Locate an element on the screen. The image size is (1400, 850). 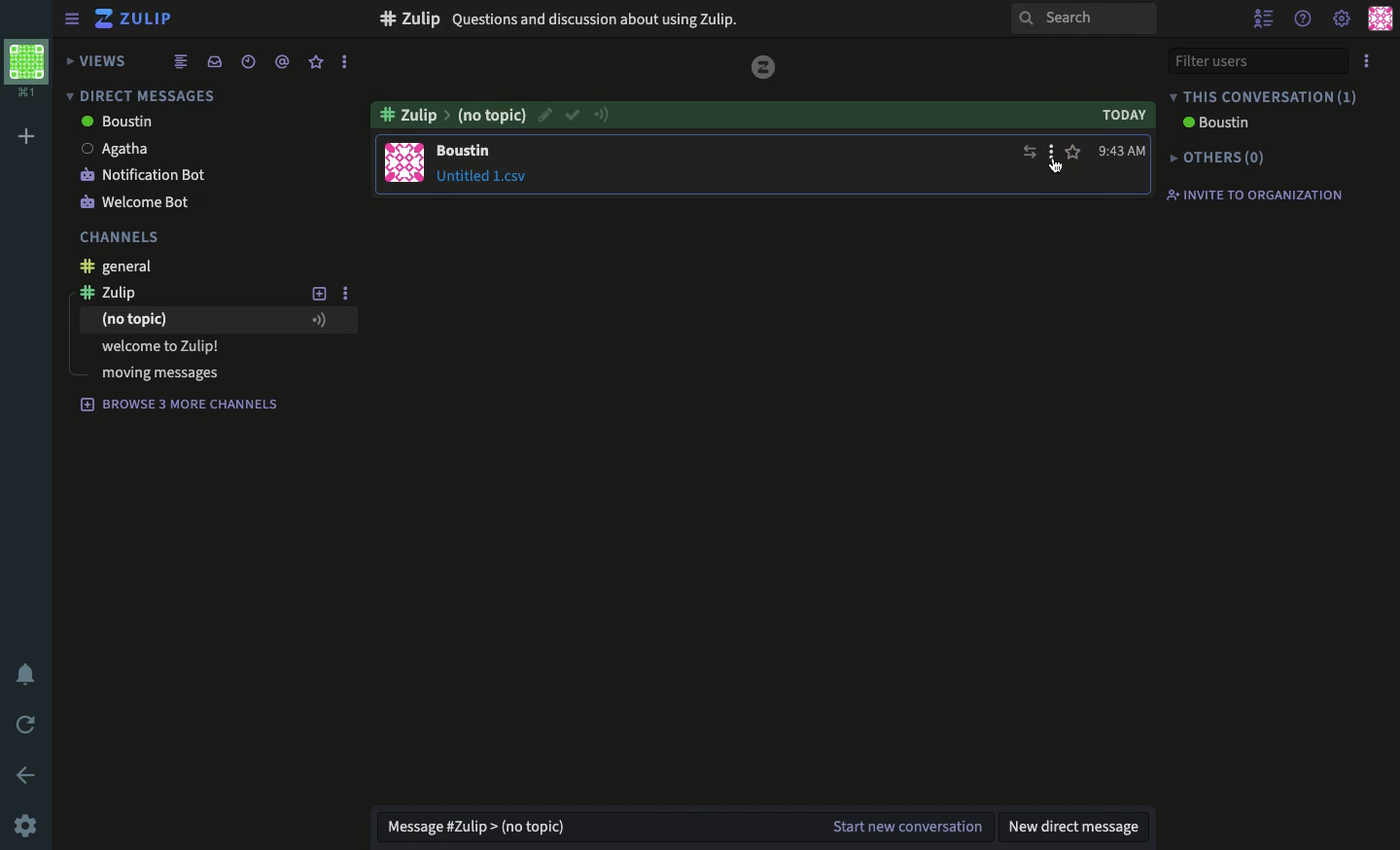
message  is located at coordinates (486, 164).